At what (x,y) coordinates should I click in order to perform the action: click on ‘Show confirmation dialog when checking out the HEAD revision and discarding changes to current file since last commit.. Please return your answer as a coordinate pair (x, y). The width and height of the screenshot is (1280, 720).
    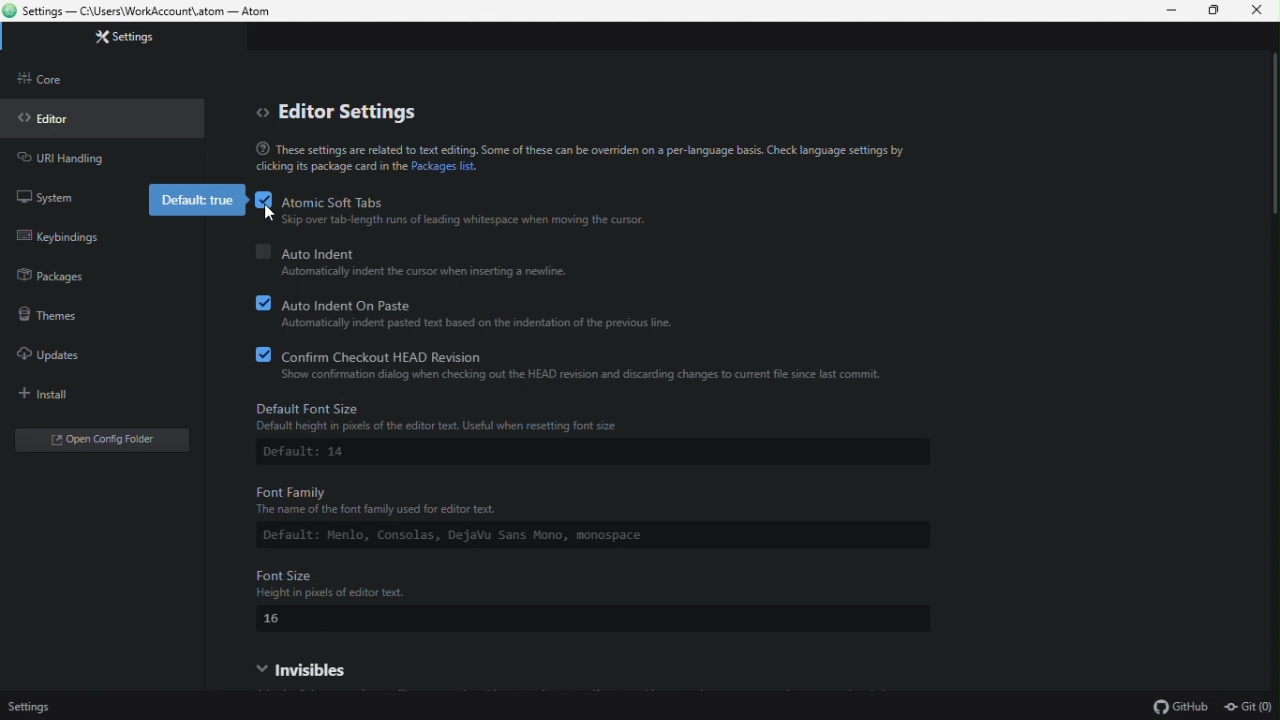
    Looking at the image, I should click on (576, 375).